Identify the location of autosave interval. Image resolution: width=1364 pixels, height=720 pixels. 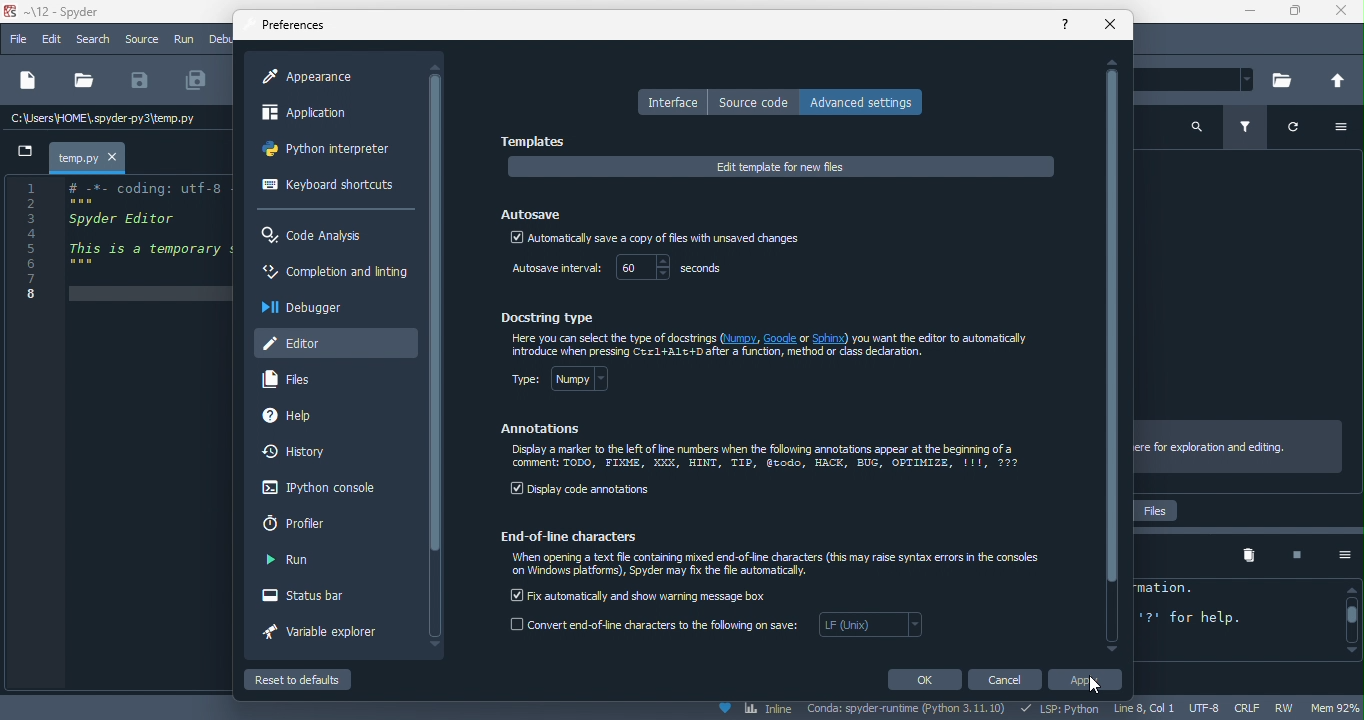
(553, 270).